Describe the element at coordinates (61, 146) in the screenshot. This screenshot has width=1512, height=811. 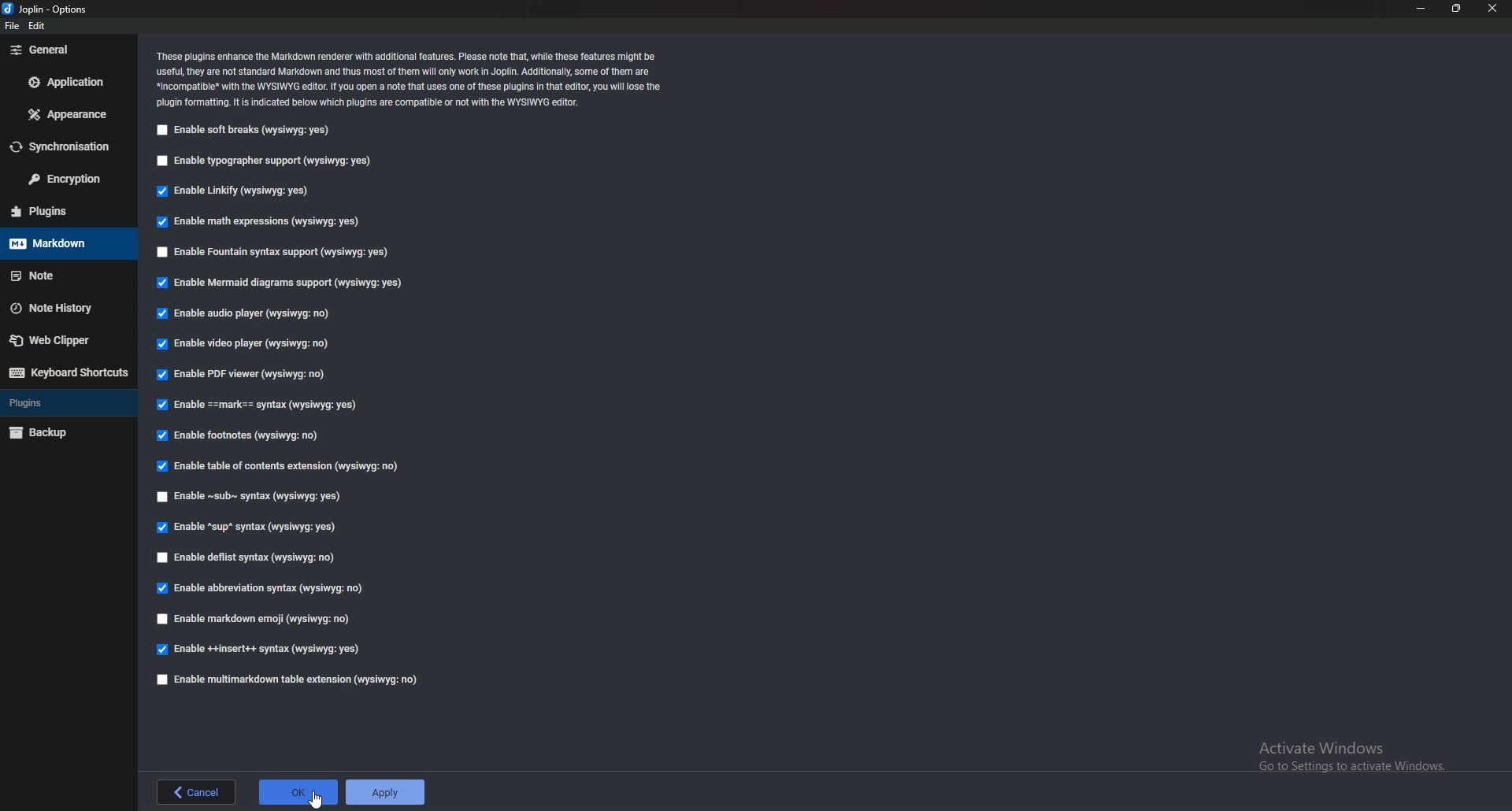
I see `synchronisation` at that location.